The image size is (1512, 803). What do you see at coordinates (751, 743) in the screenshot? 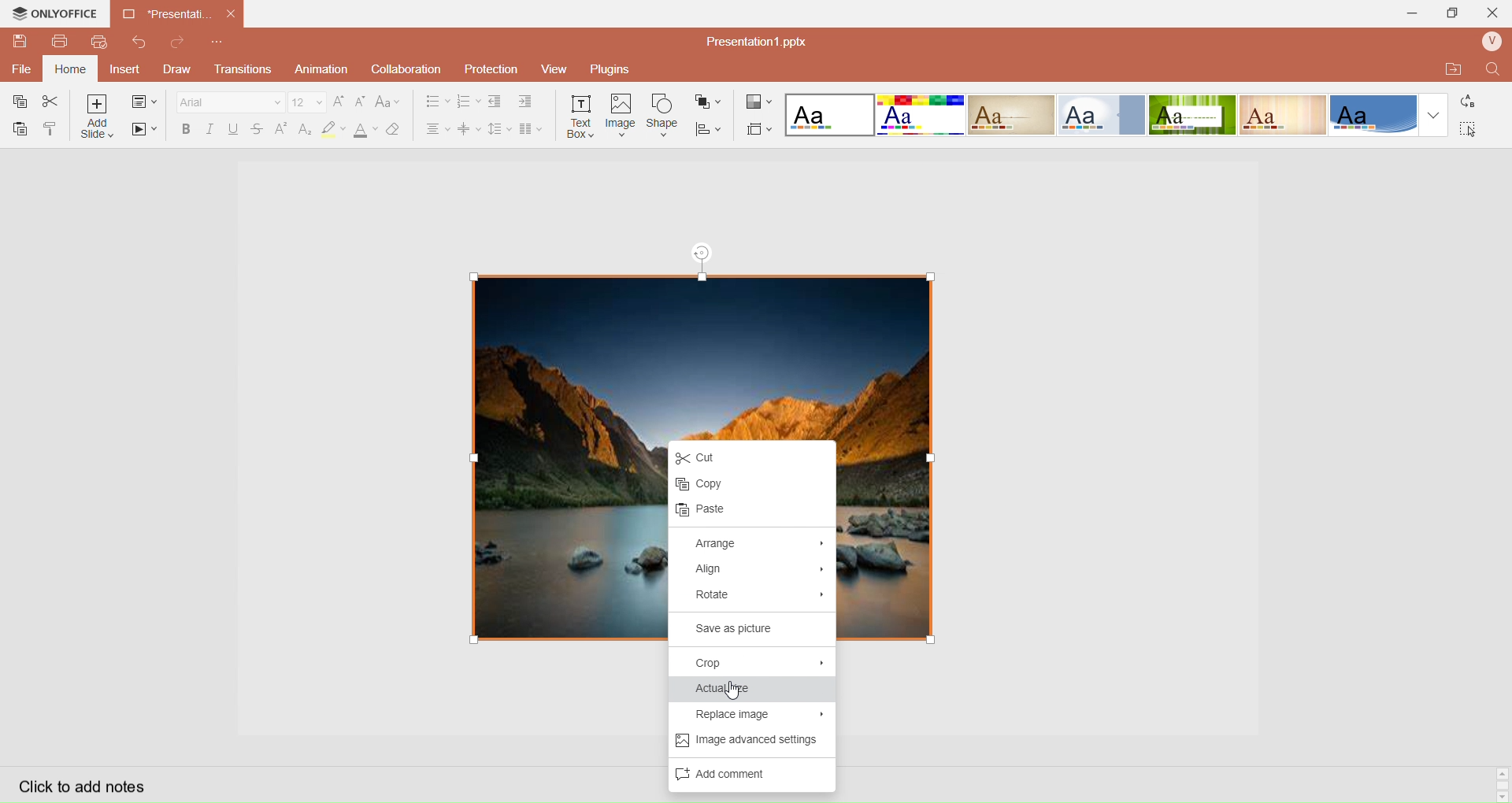
I see `Image advance settings ` at bounding box center [751, 743].